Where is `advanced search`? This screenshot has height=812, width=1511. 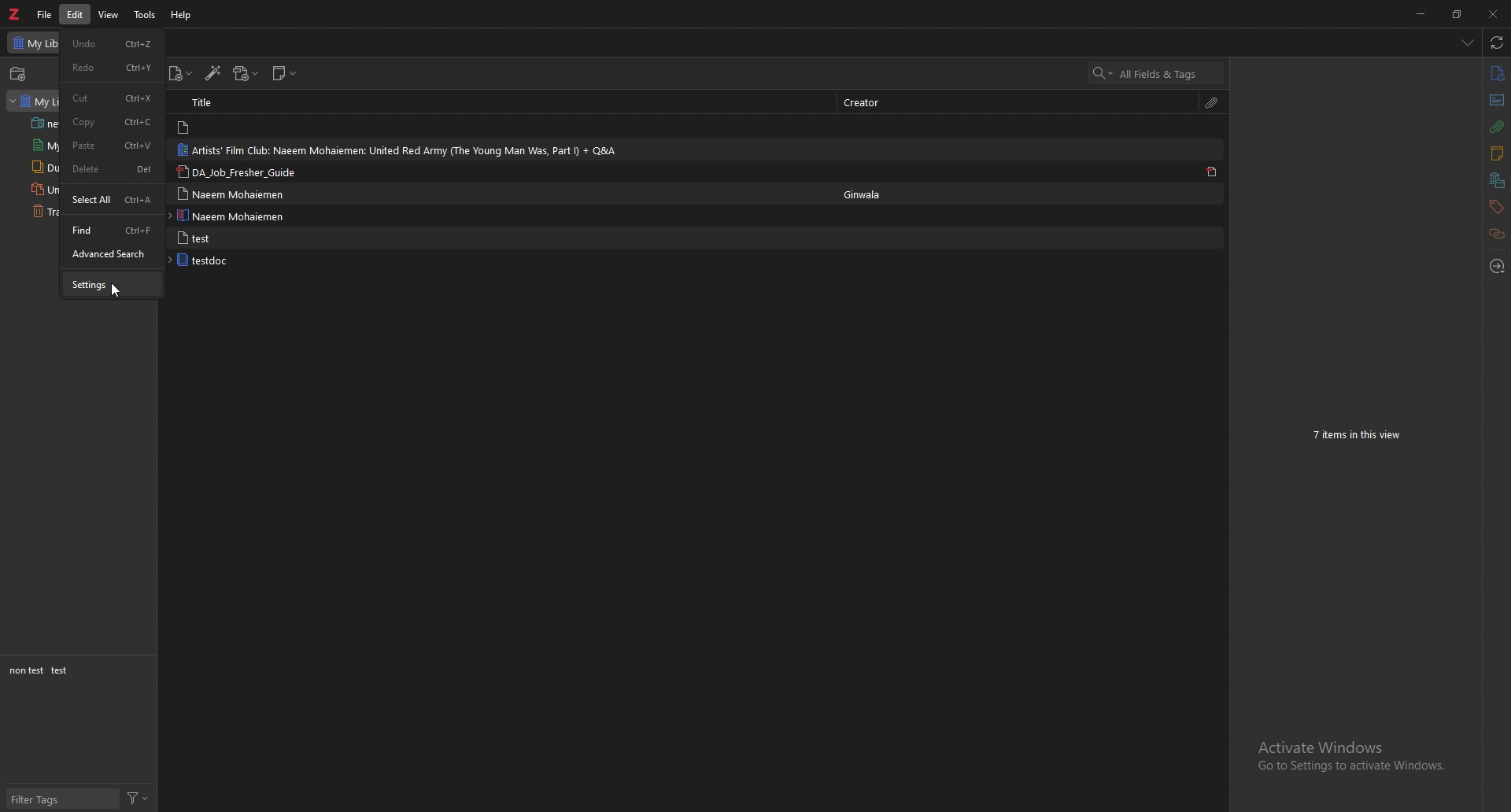 advanced search is located at coordinates (113, 253).